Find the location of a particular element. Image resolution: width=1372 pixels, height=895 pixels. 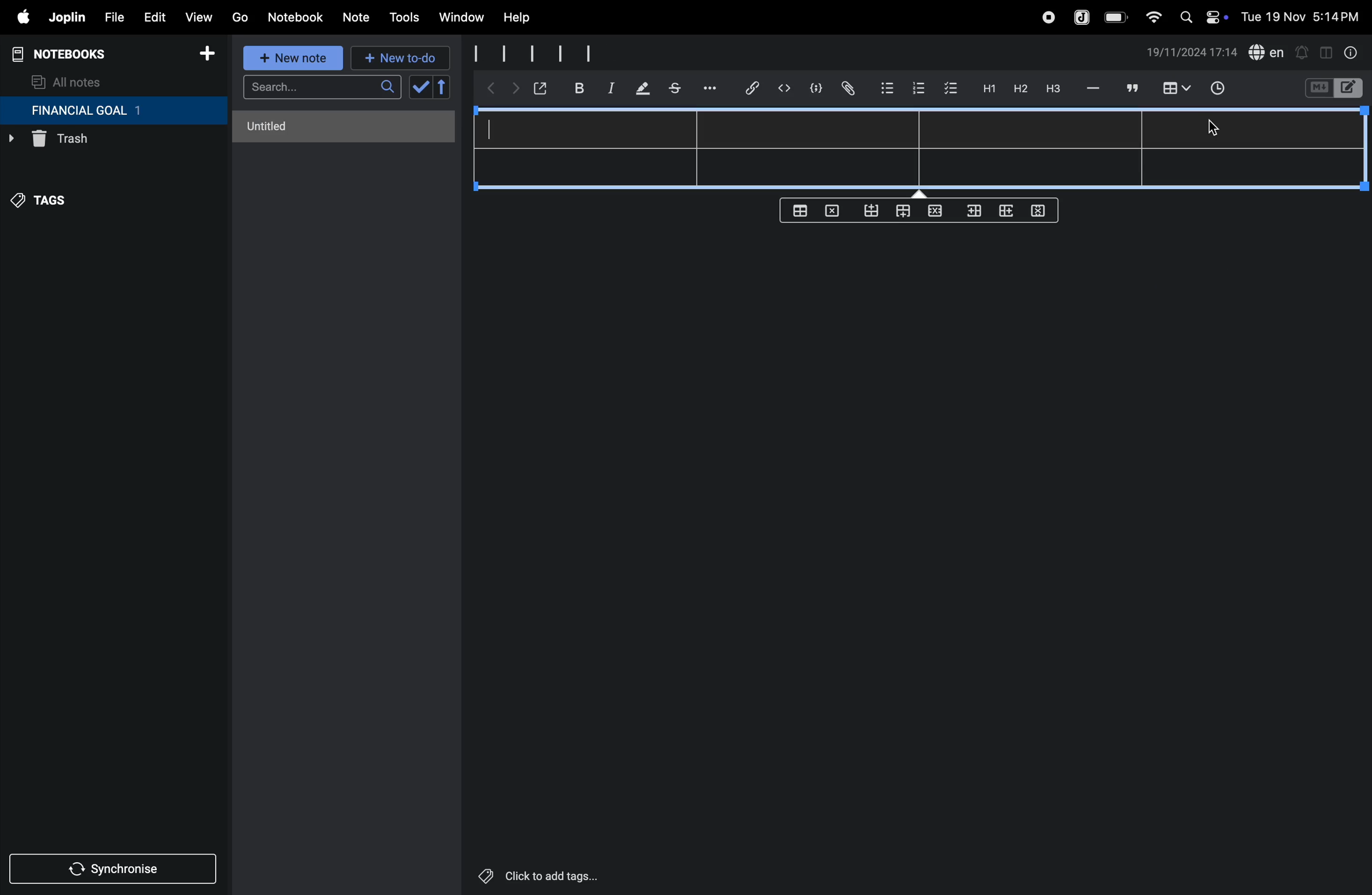

bullet list is located at coordinates (887, 87).